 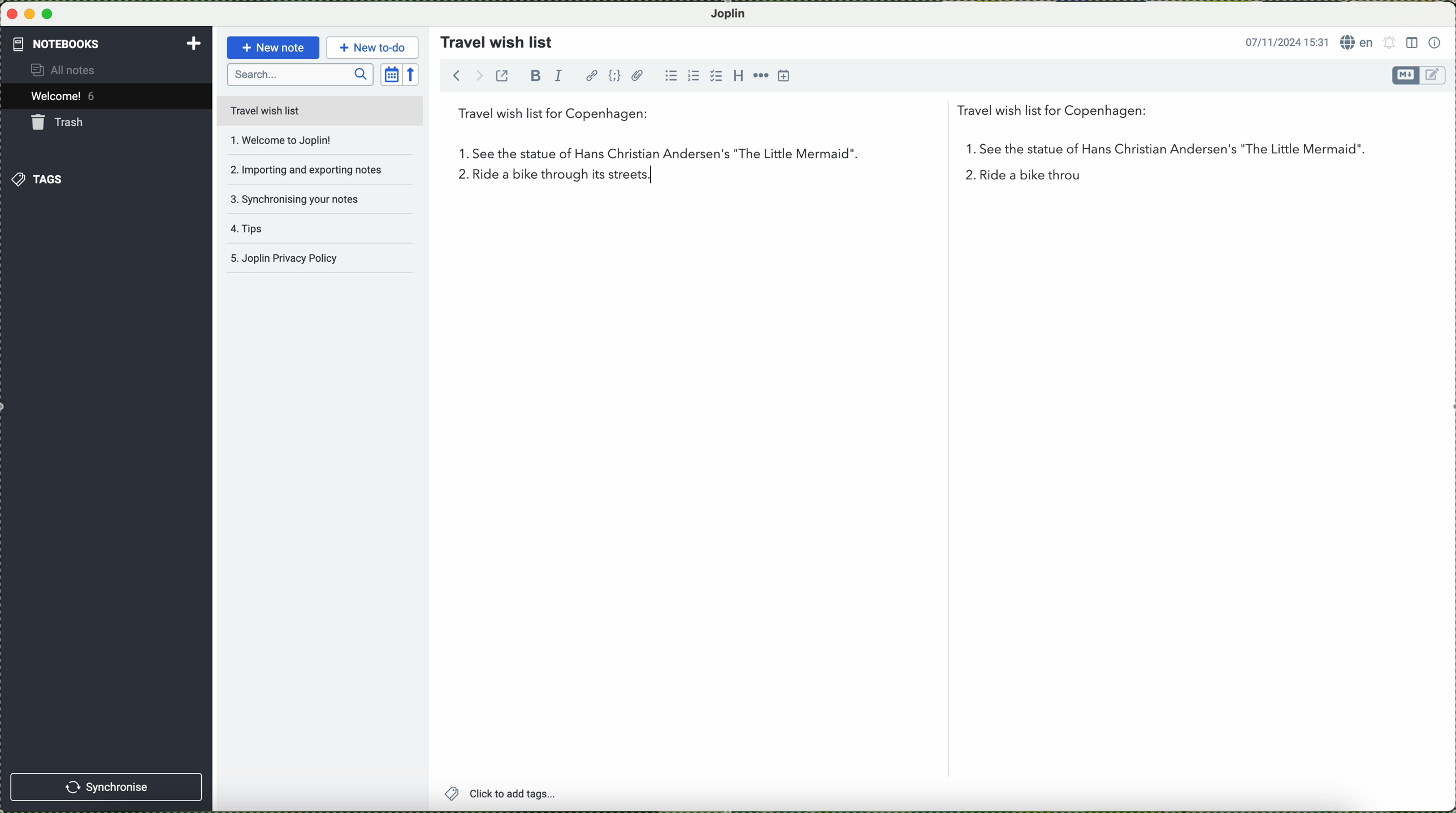 What do you see at coordinates (317, 261) in the screenshot?
I see `Joplin privacy policy` at bounding box center [317, 261].